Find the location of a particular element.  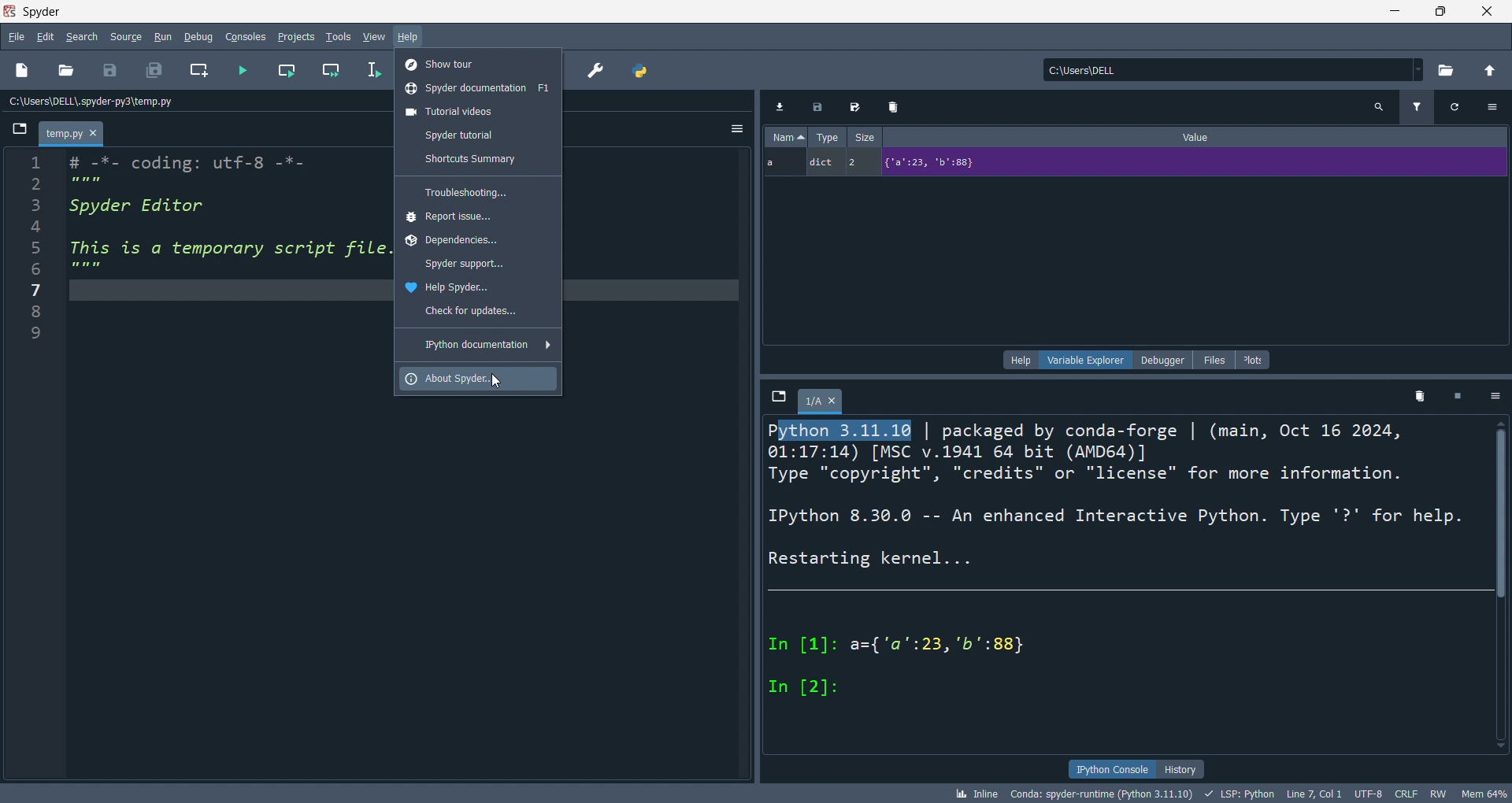

open directory is located at coordinates (1448, 68).